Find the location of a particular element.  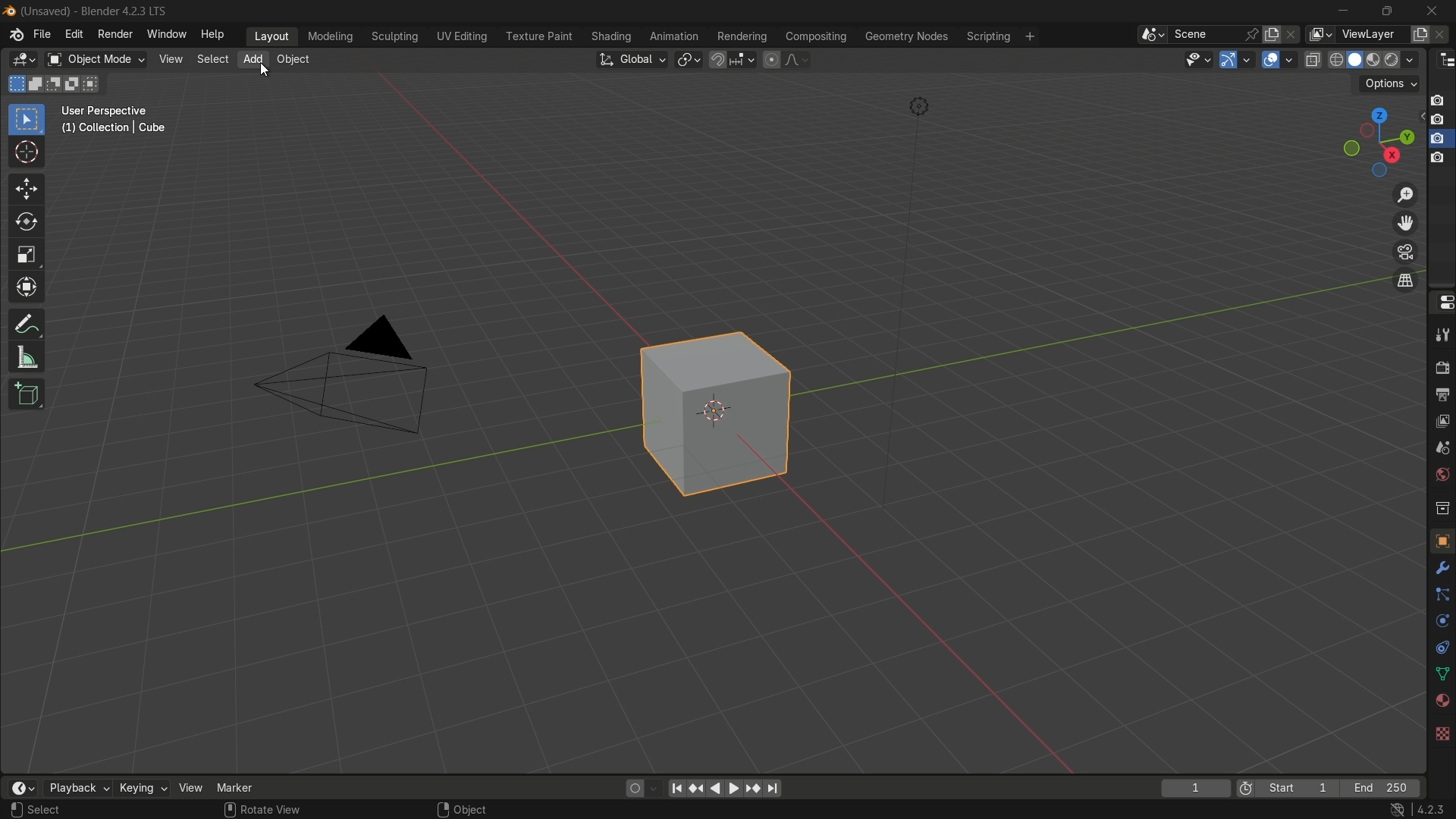

file menu is located at coordinates (42, 34).